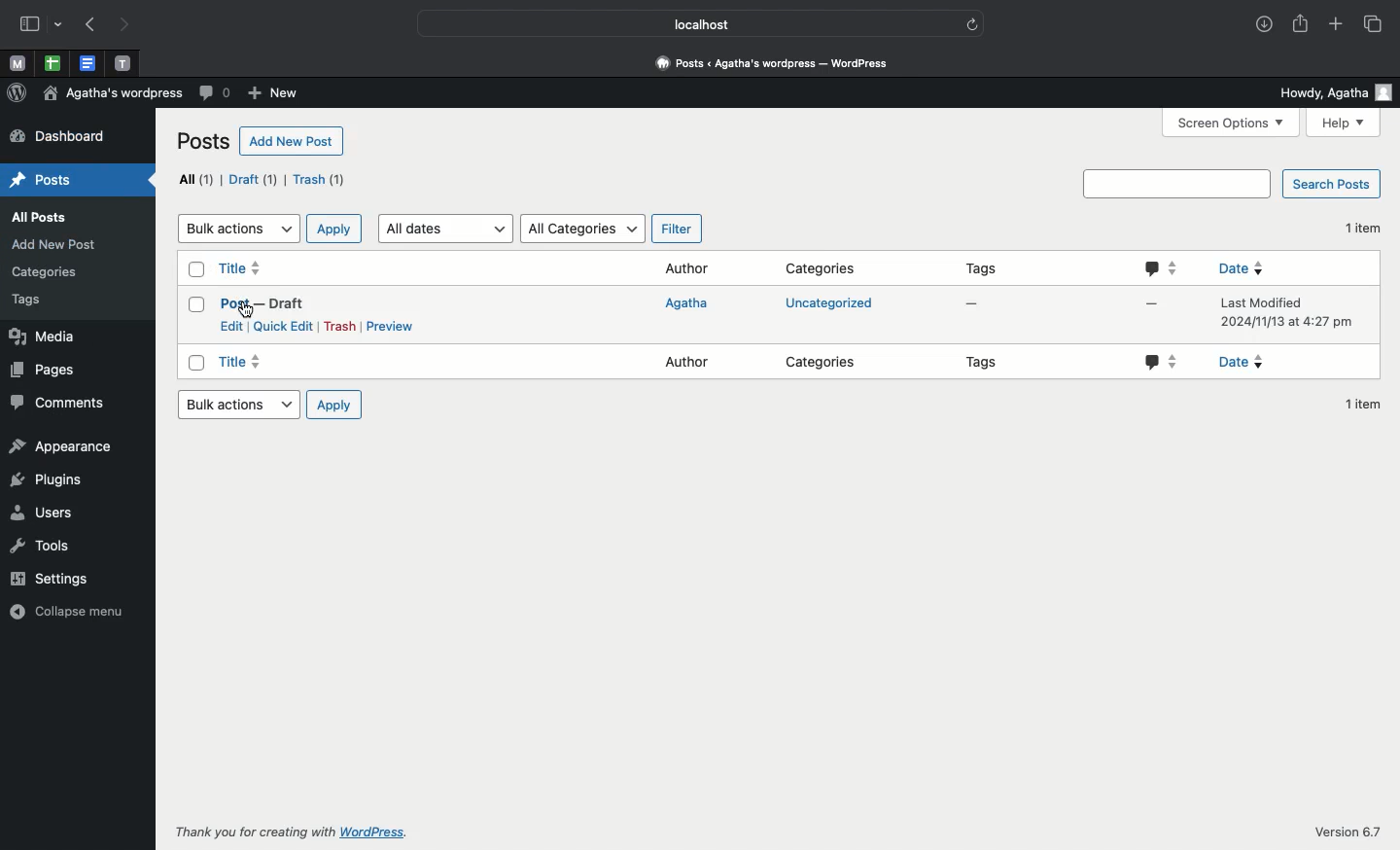  I want to click on Pinned tab, so click(17, 65).